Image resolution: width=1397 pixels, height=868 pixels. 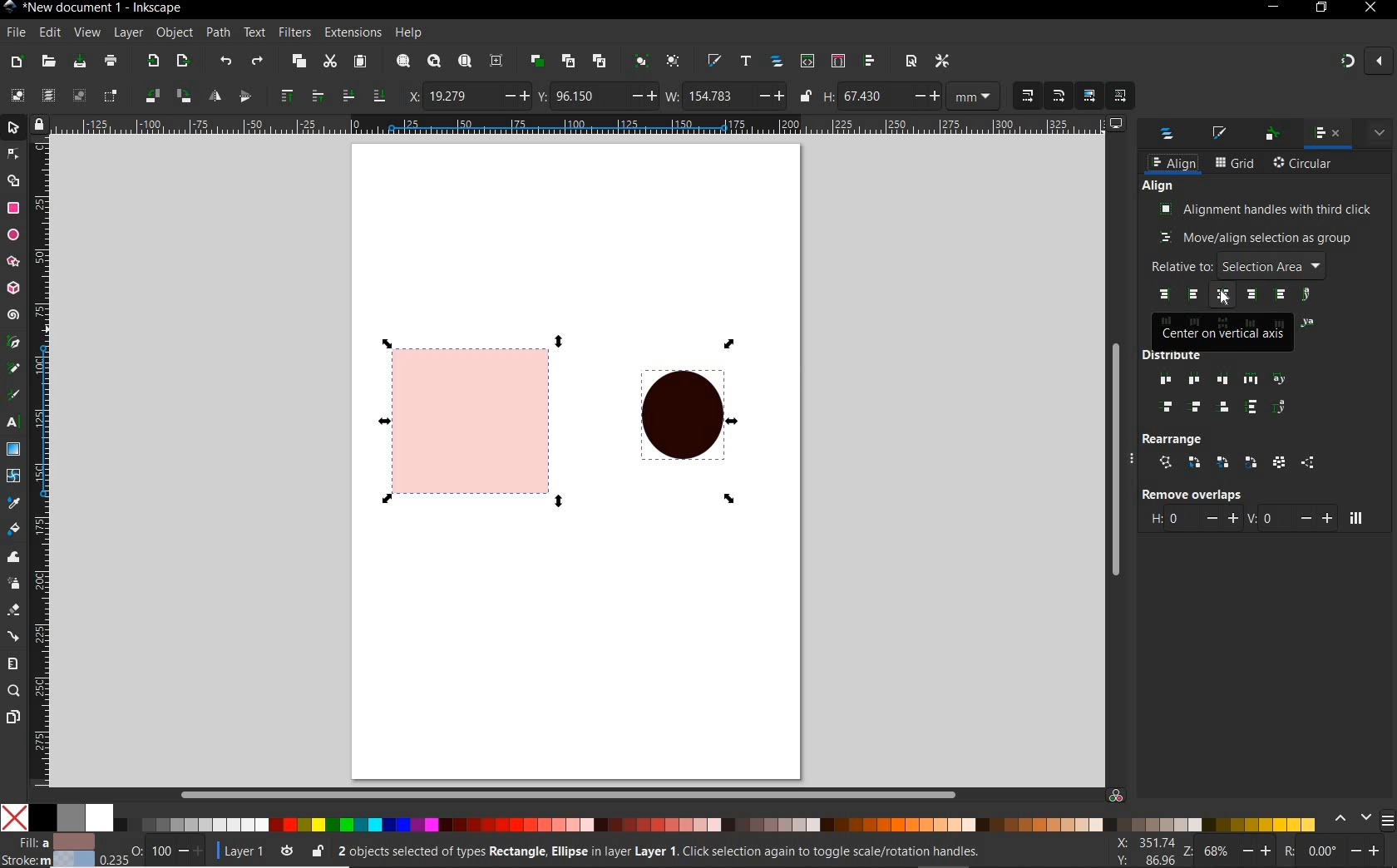 I want to click on align, so click(x=1158, y=186).